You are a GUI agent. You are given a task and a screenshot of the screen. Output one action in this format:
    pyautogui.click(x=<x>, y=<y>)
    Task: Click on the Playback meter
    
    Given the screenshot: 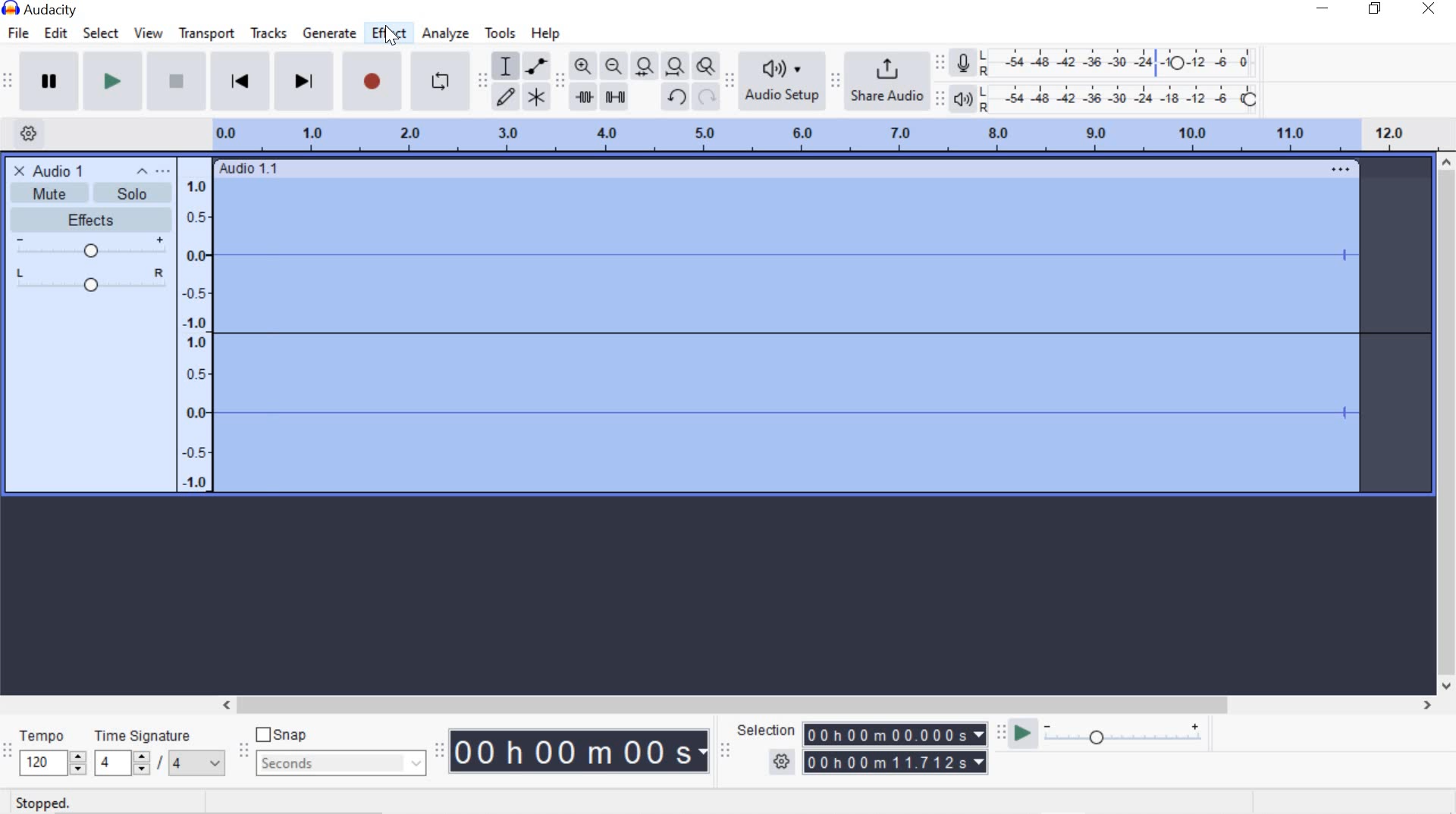 What is the action you would take?
    pyautogui.click(x=966, y=99)
    